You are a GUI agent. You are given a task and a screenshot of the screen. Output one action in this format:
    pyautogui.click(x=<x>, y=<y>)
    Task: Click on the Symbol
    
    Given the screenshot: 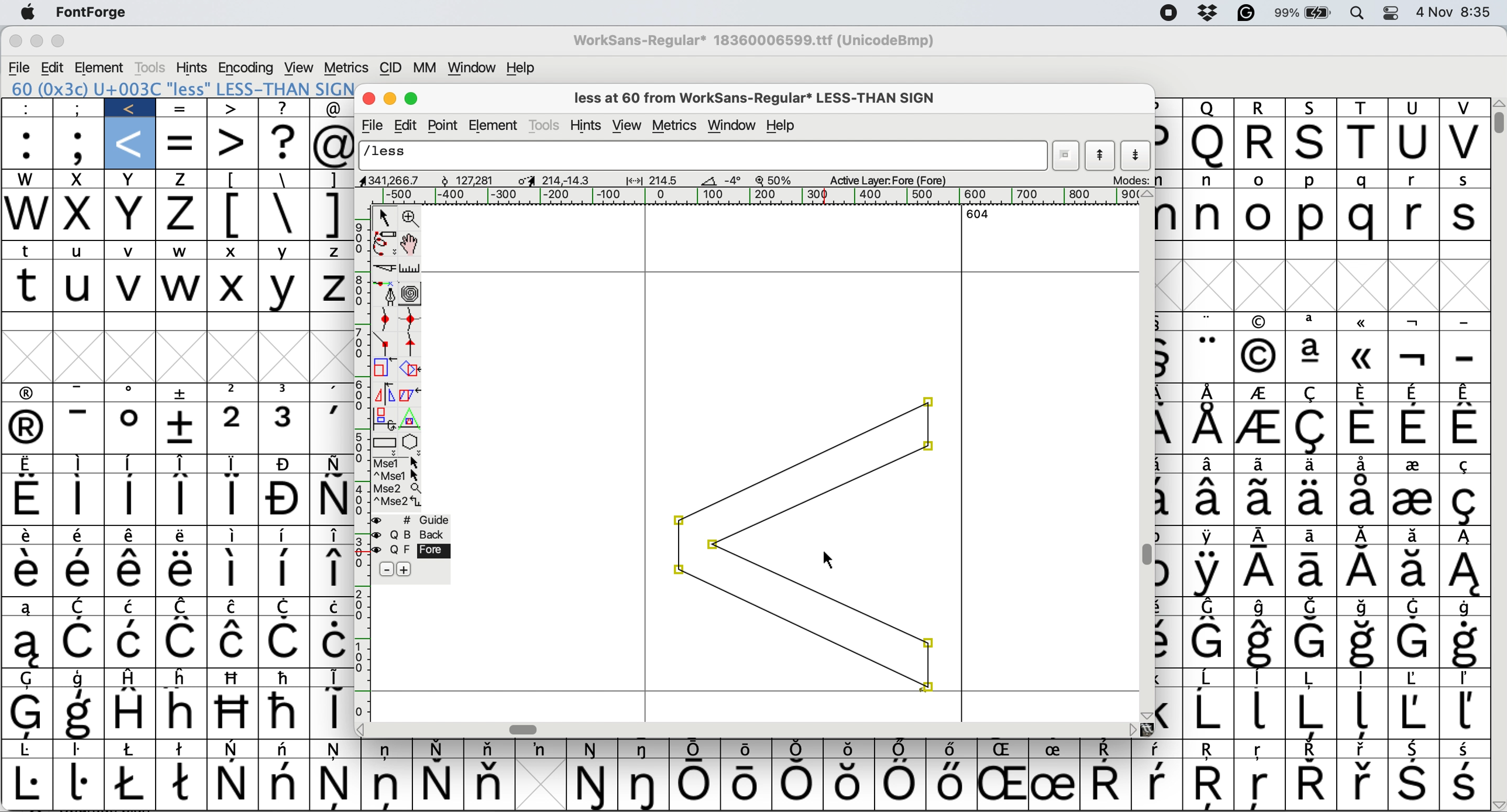 What is the action you would take?
    pyautogui.click(x=1209, y=714)
    